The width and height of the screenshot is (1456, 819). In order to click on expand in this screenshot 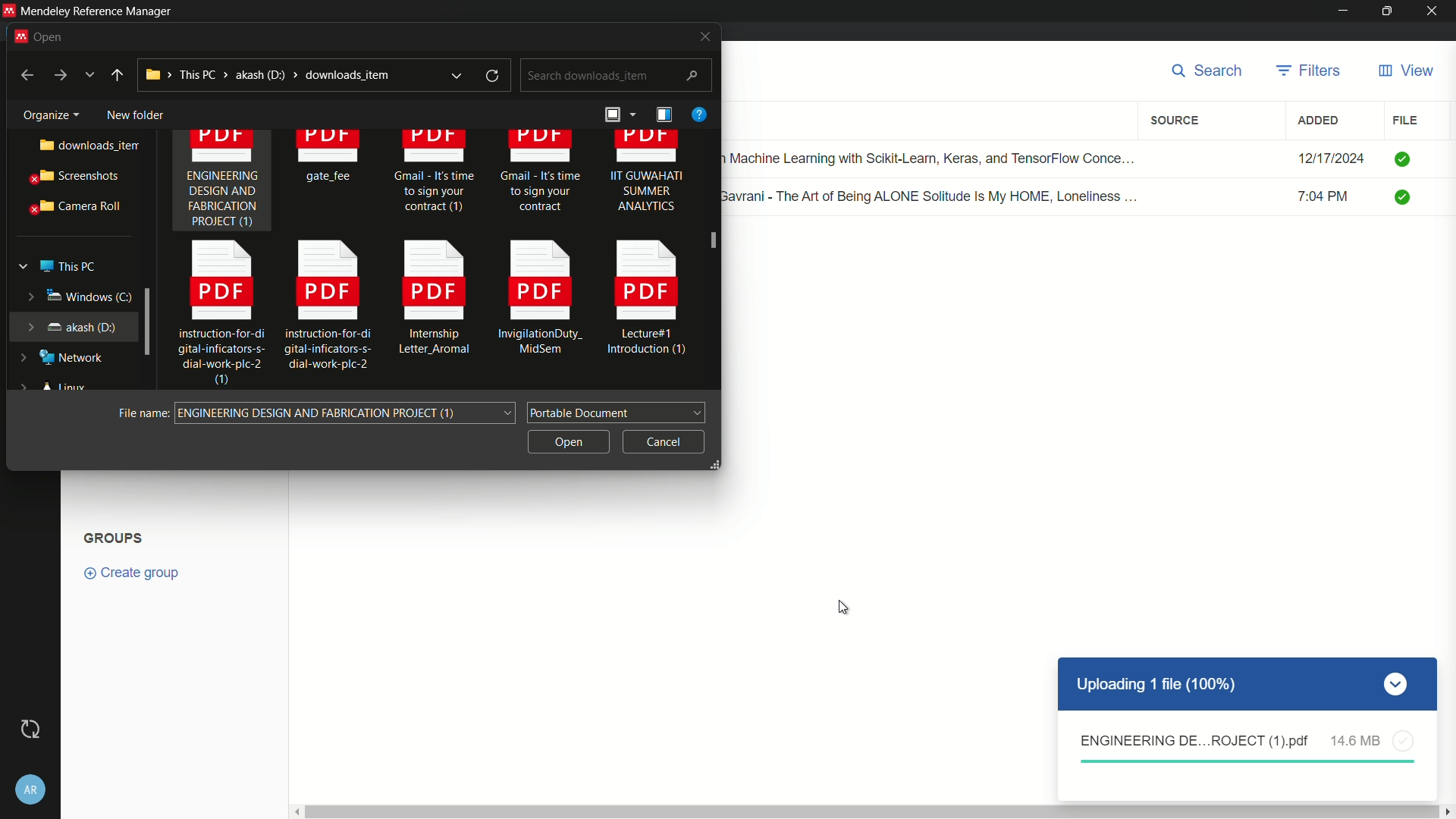, I will do `click(456, 75)`.